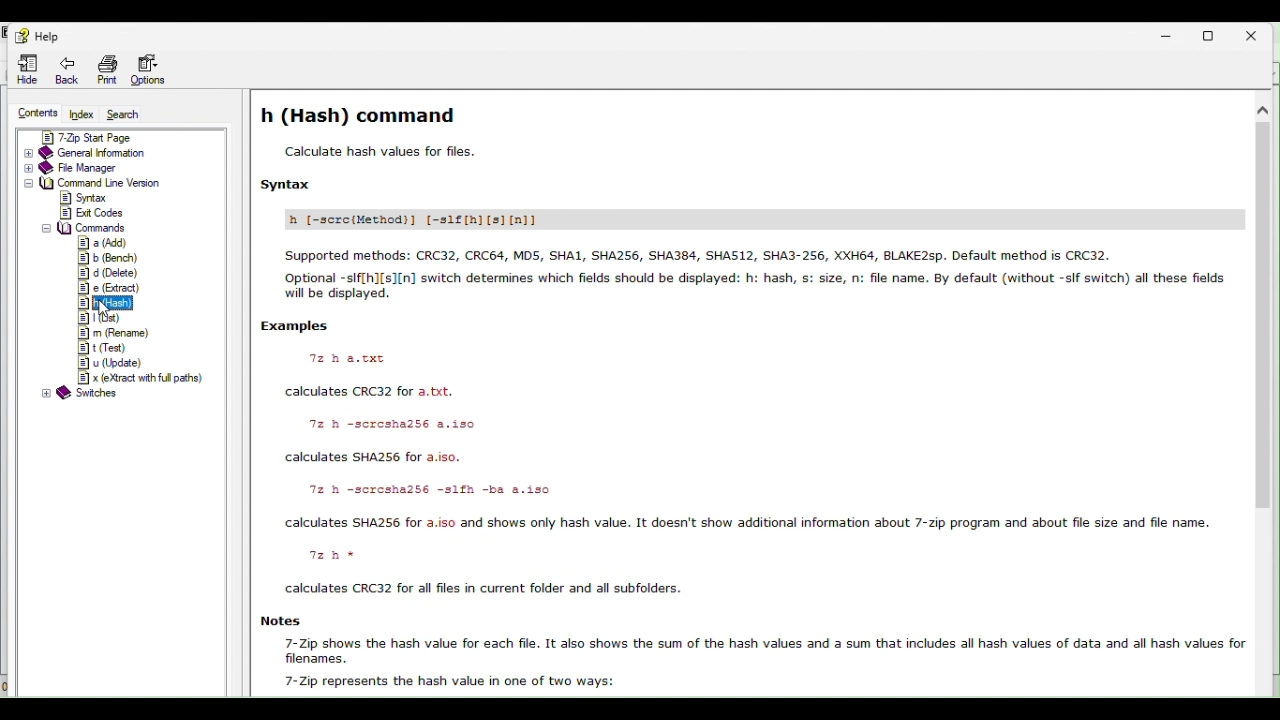  What do you see at coordinates (119, 153) in the screenshot?
I see `General` at bounding box center [119, 153].